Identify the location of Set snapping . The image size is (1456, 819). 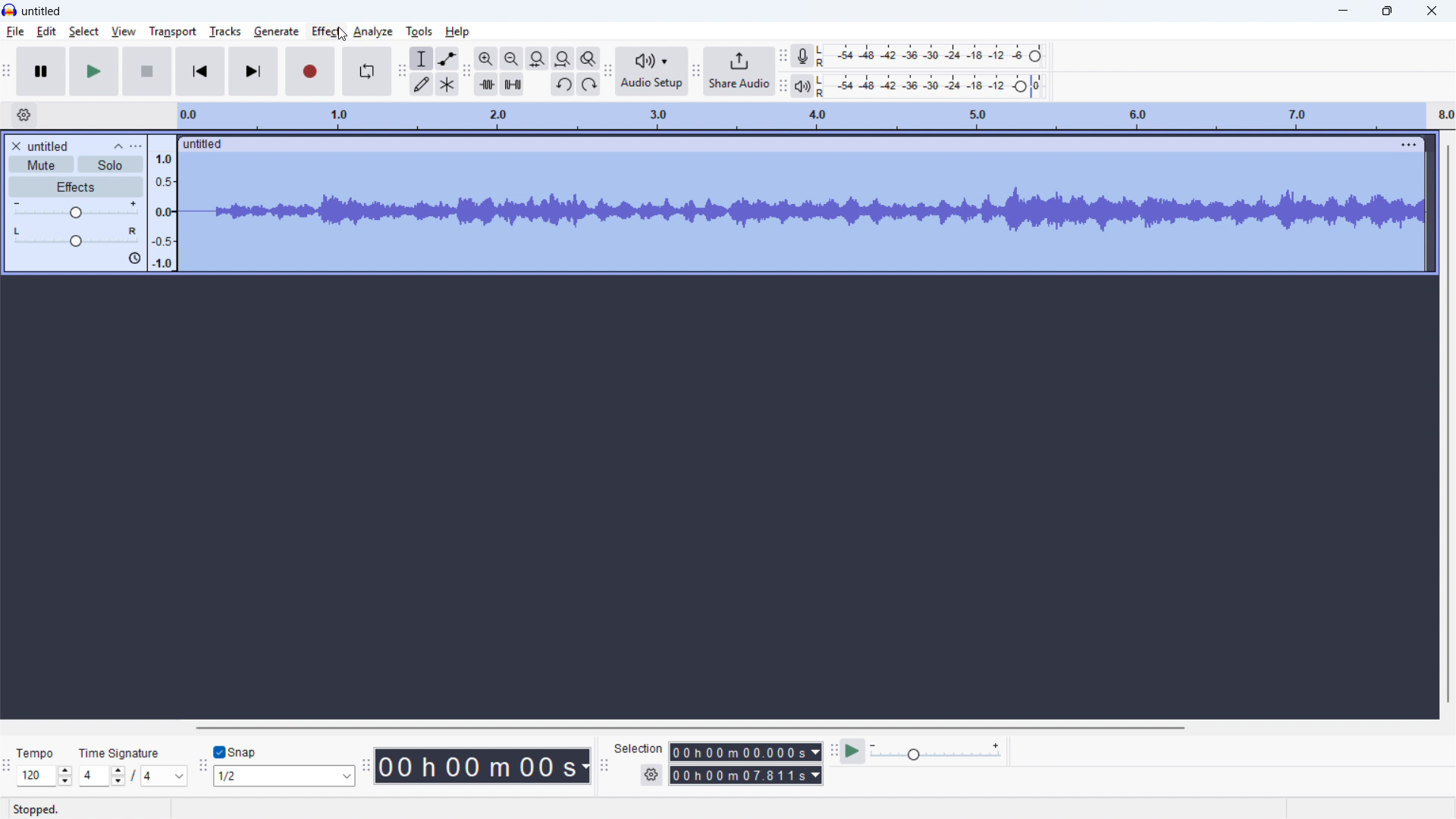
(284, 776).